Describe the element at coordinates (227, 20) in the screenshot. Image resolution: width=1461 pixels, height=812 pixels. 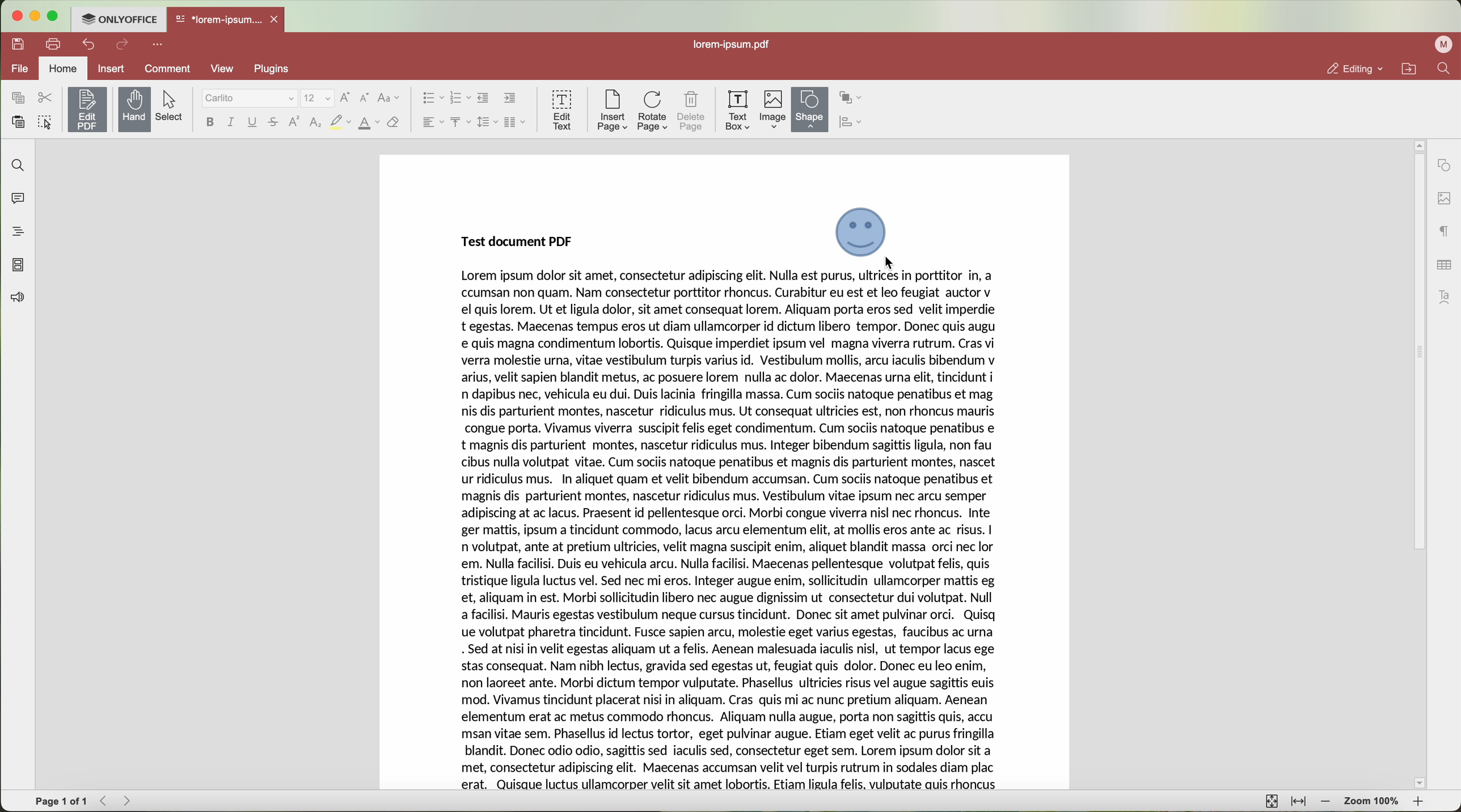
I see `open file` at that location.